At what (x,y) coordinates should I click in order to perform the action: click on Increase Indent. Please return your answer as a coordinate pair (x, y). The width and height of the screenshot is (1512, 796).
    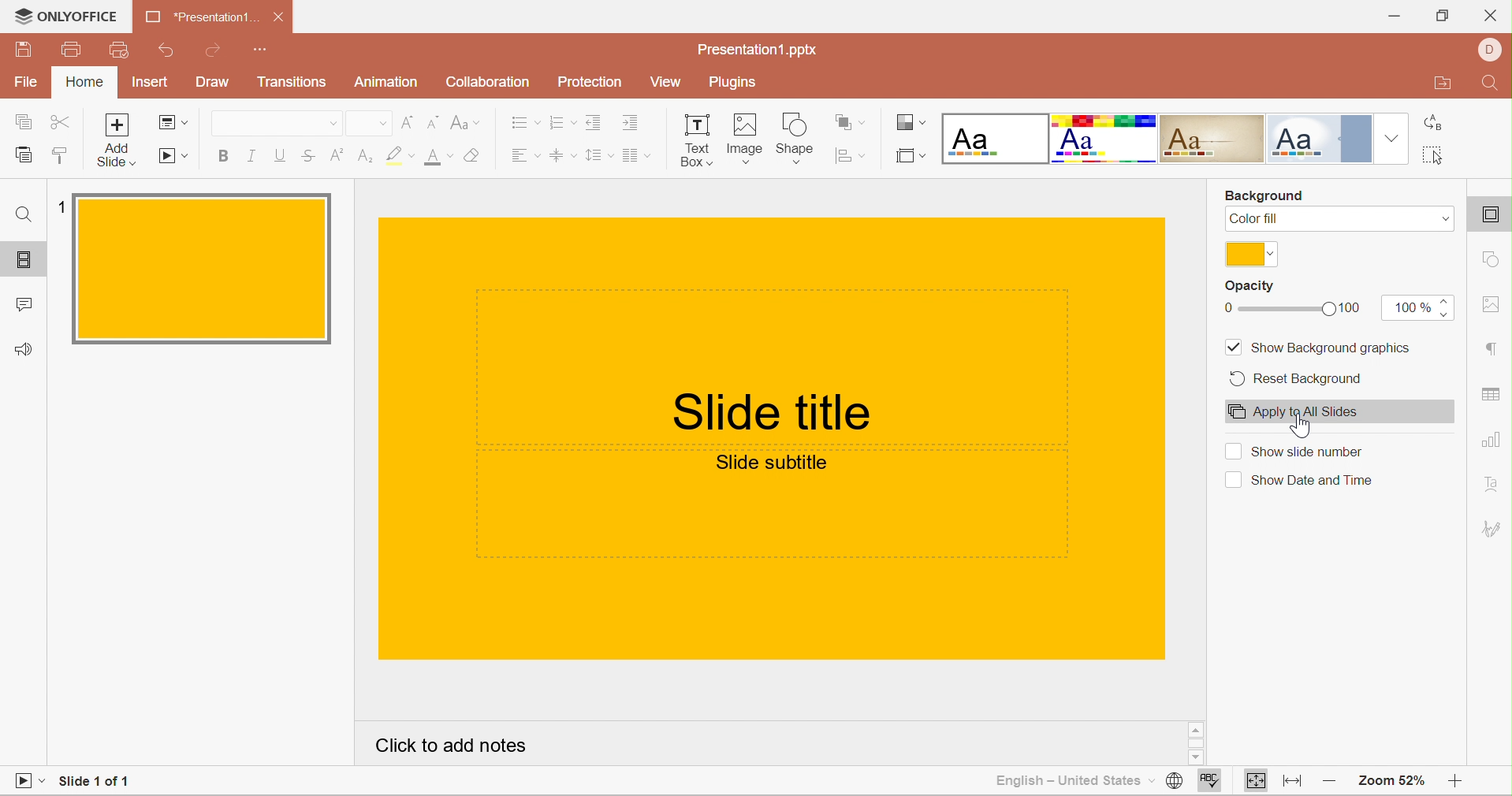
    Looking at the image, I should click on (631, 124).